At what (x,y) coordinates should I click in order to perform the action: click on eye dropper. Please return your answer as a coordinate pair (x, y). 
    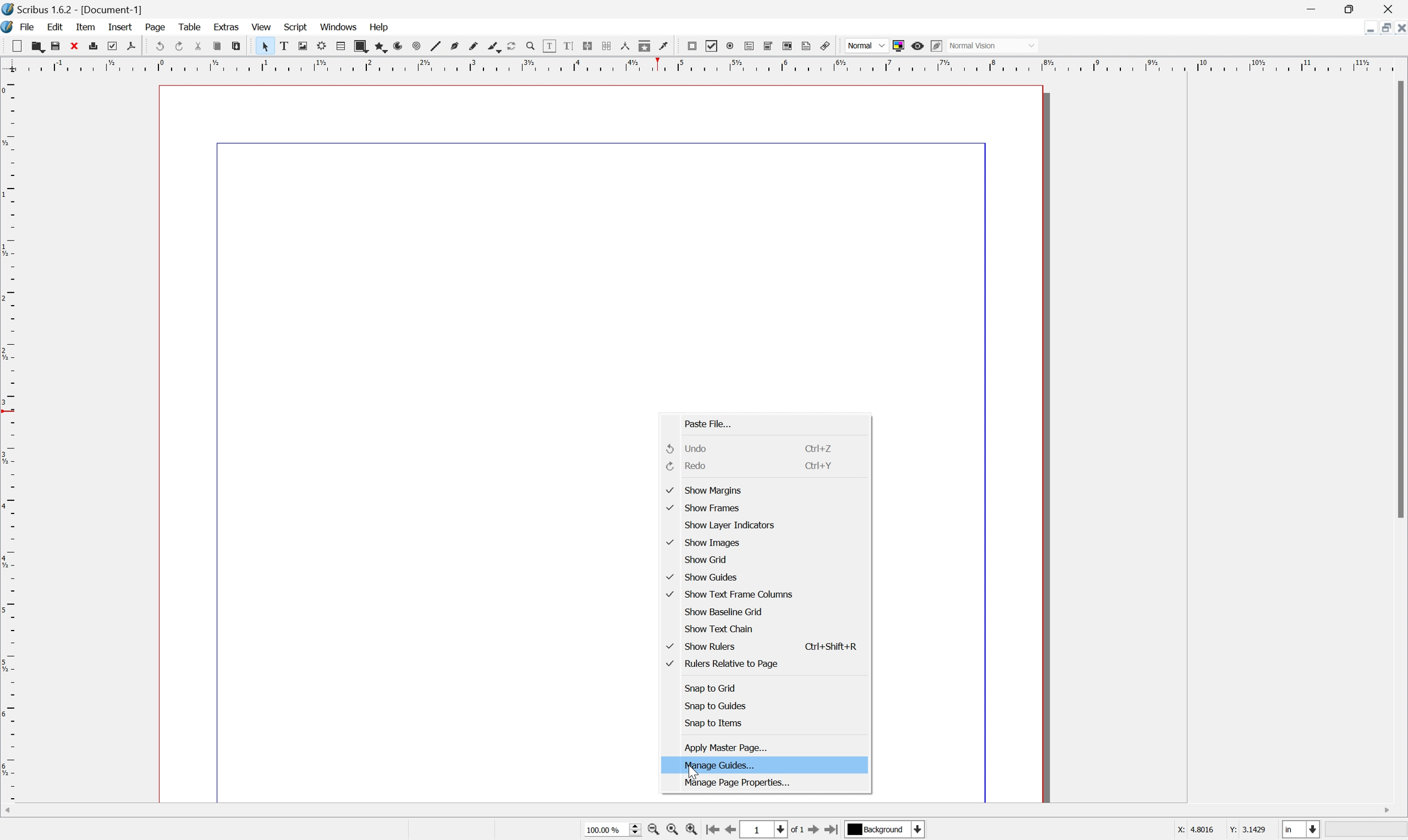
    Looking at the image, I should click on (665, 47).